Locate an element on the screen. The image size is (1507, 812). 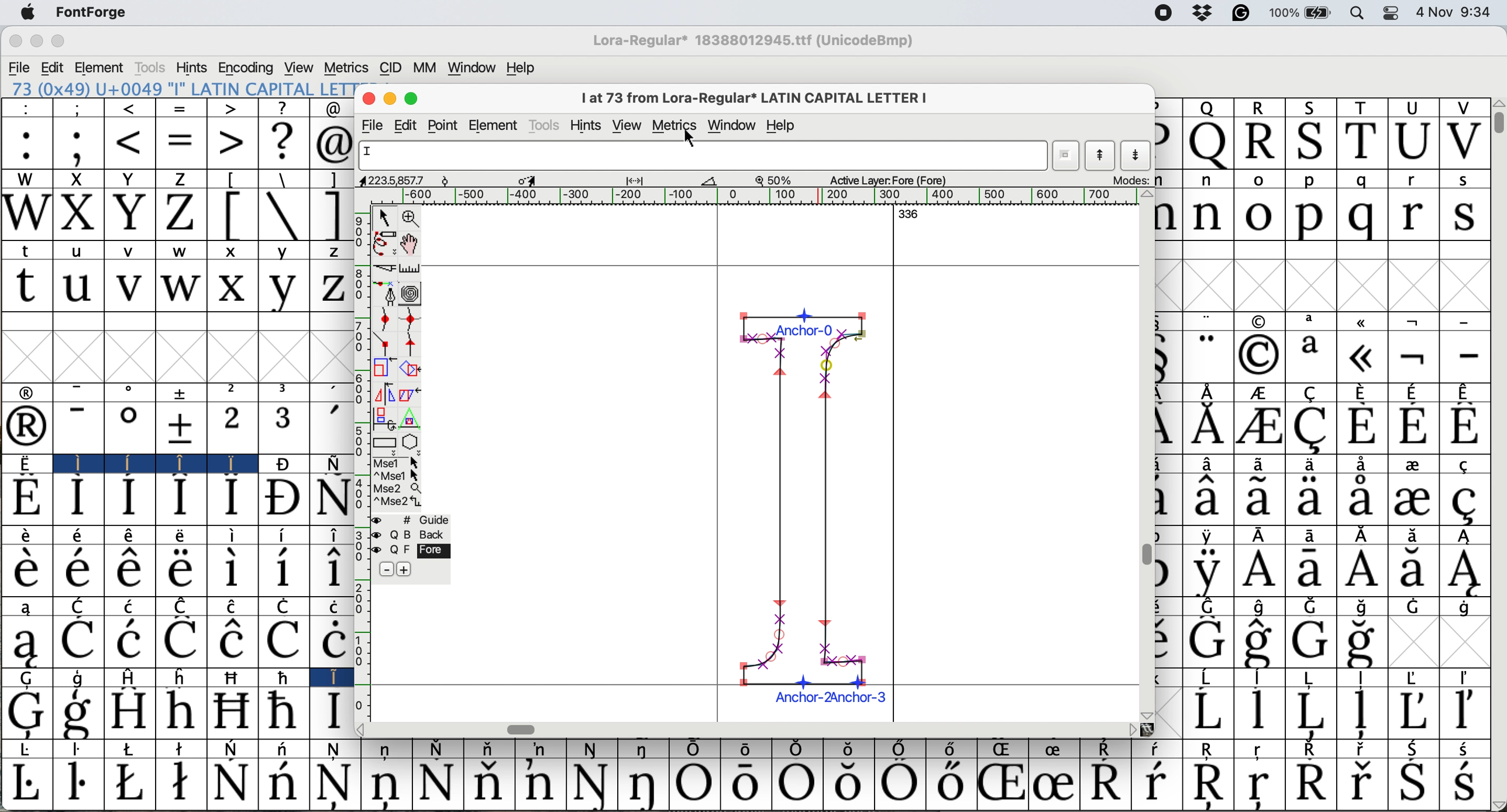
- is located at coordinates (1466, 356).